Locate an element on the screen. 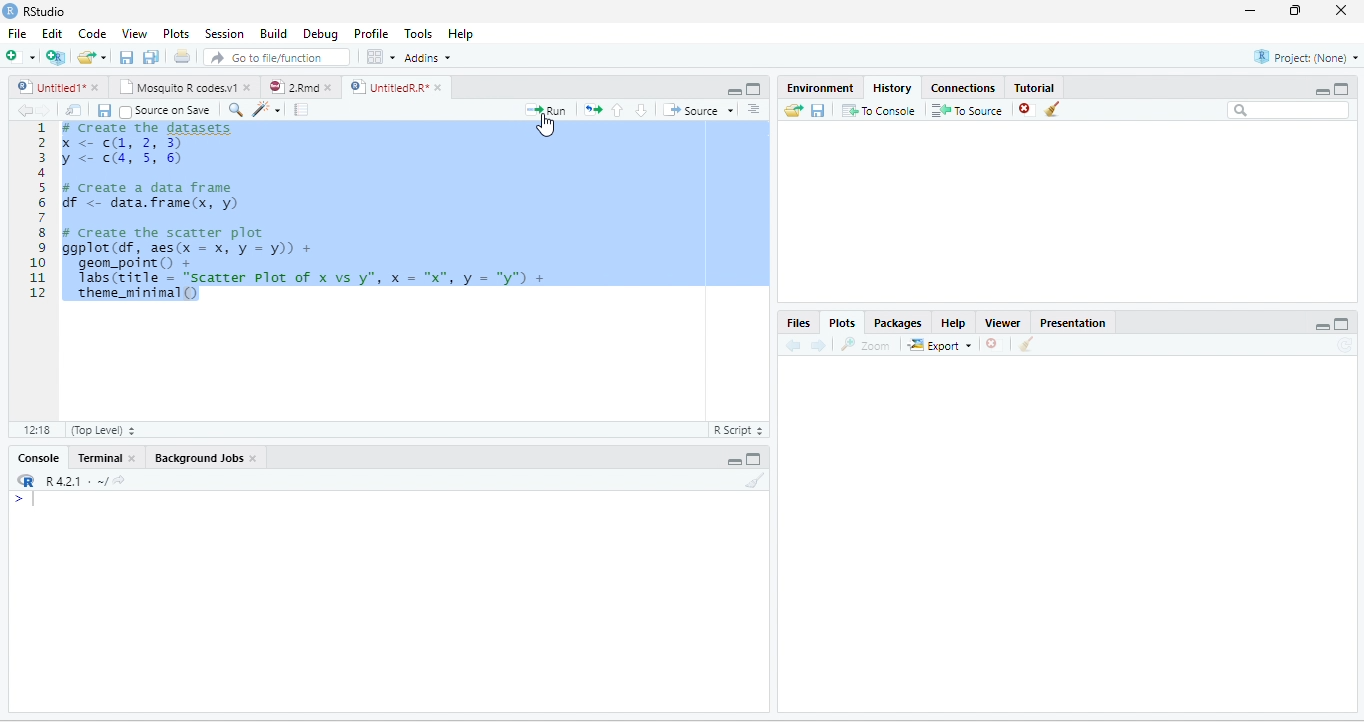 Image resolution: width=1364 pixels, height=722 pixels. 2.Rmd is located at coordinates (292, 87).